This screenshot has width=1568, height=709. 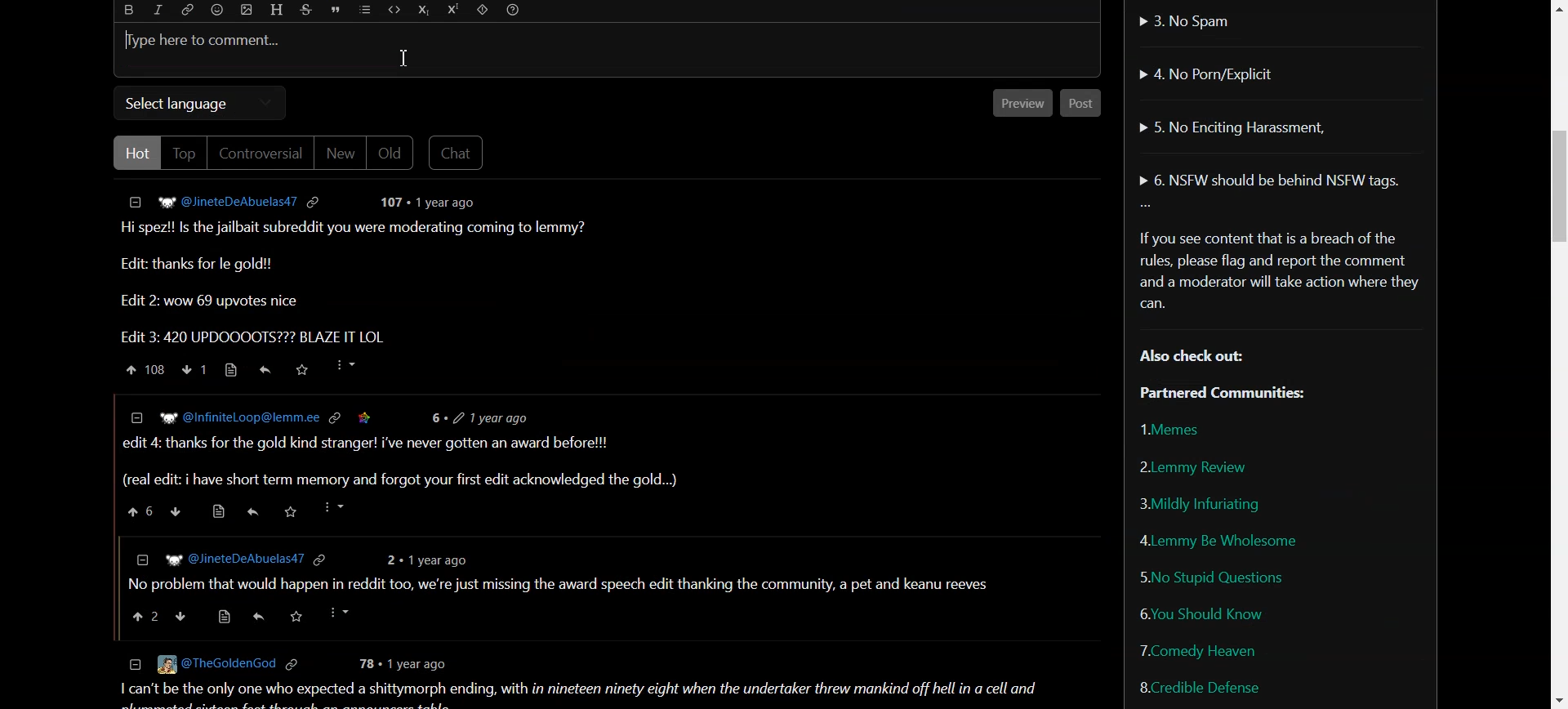 What do you see at coordinates (189, 10) in the screenshot?
I see `Hyperlink` at bounding box center [189, 10].